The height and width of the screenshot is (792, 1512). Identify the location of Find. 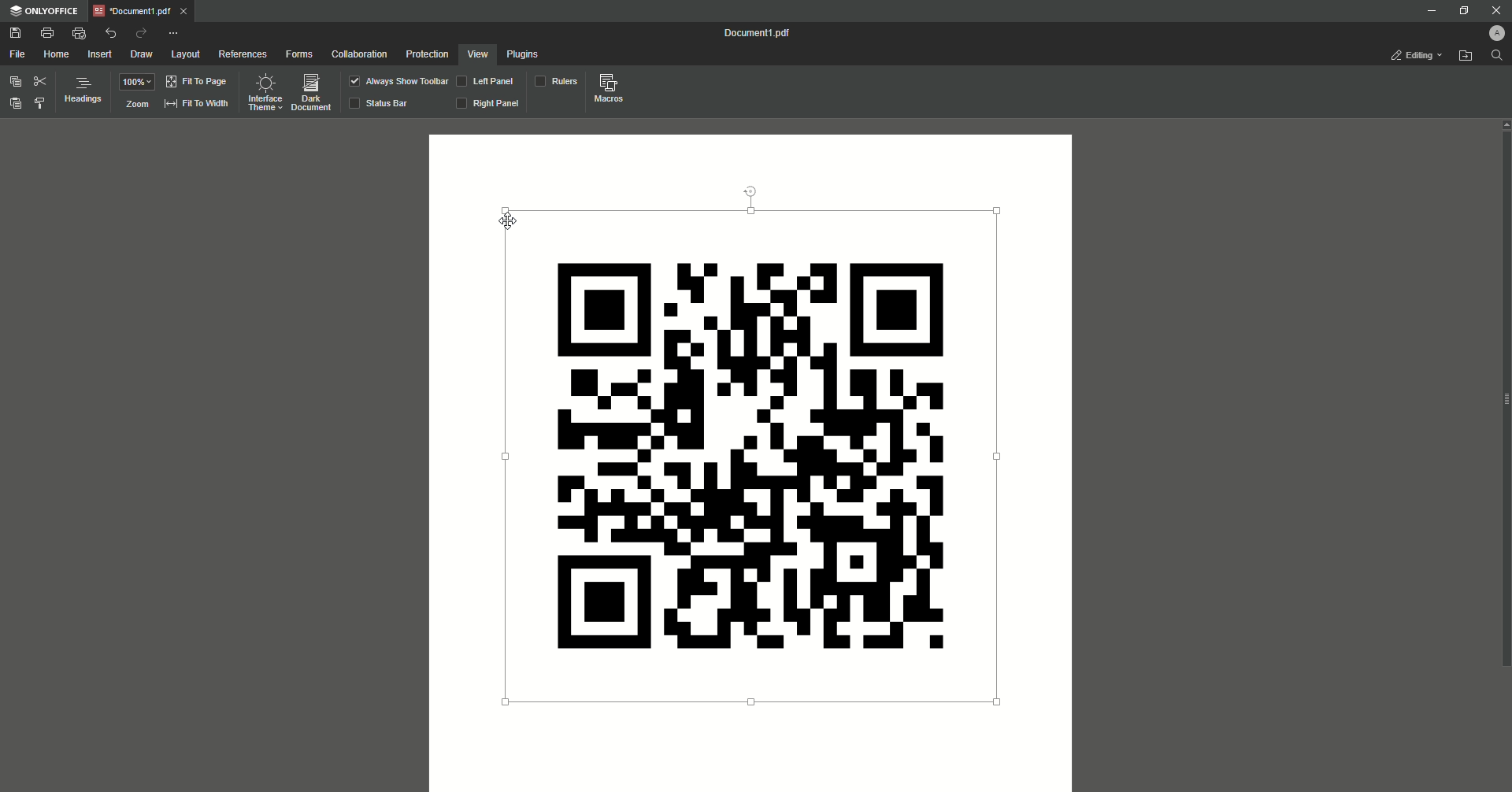
(1496, 57).